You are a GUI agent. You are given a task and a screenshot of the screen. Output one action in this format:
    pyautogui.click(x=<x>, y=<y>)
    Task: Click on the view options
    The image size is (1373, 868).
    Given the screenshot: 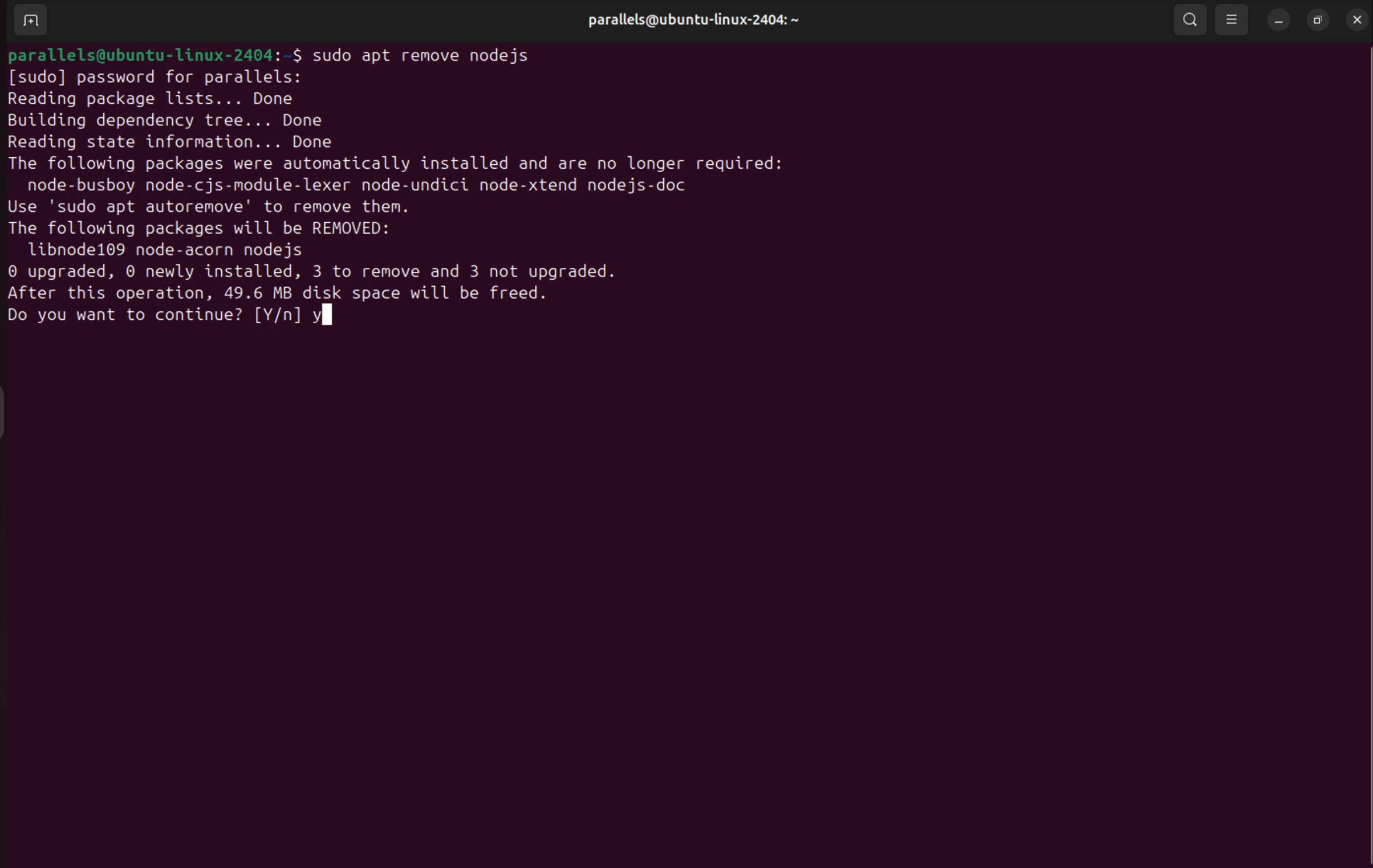 What is the action you would take?
    pyautogui.click(x=1231, y=21)
    